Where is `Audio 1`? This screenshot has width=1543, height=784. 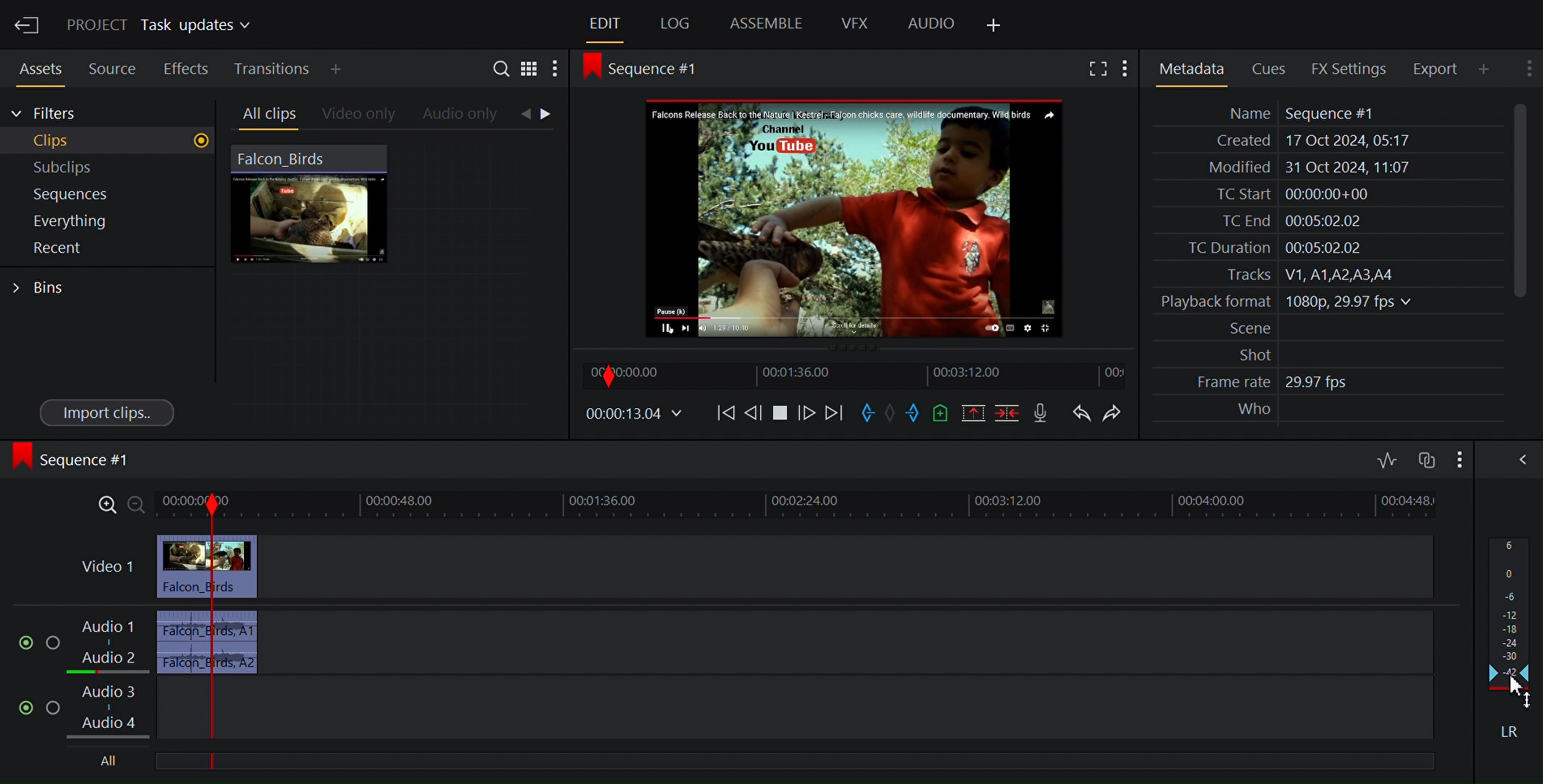 Audio 1 is located at coordinates (112, 628).